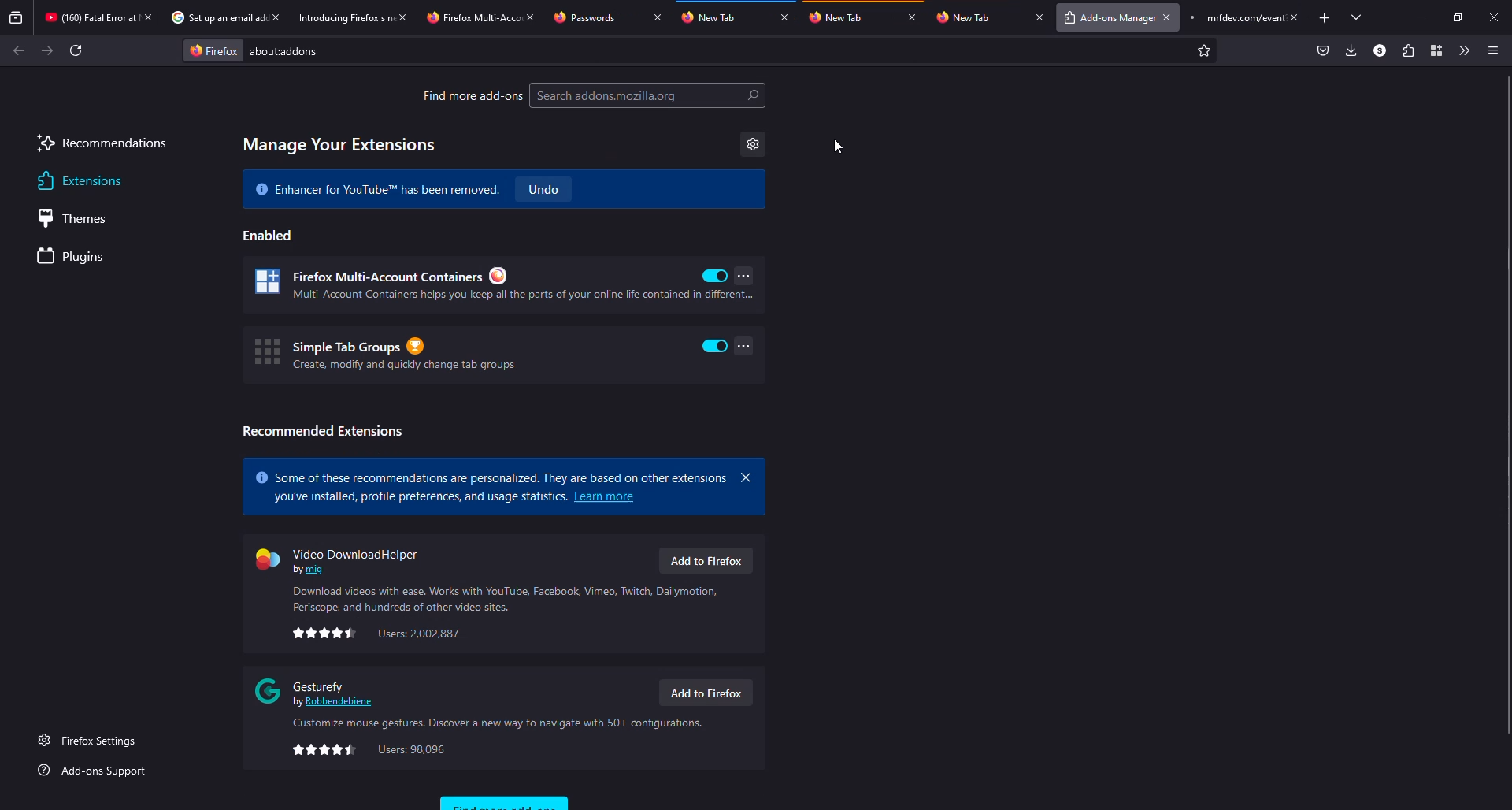 The height and width of the screenshot is (810, 1512). I want to click on undo, so click(543, 189).